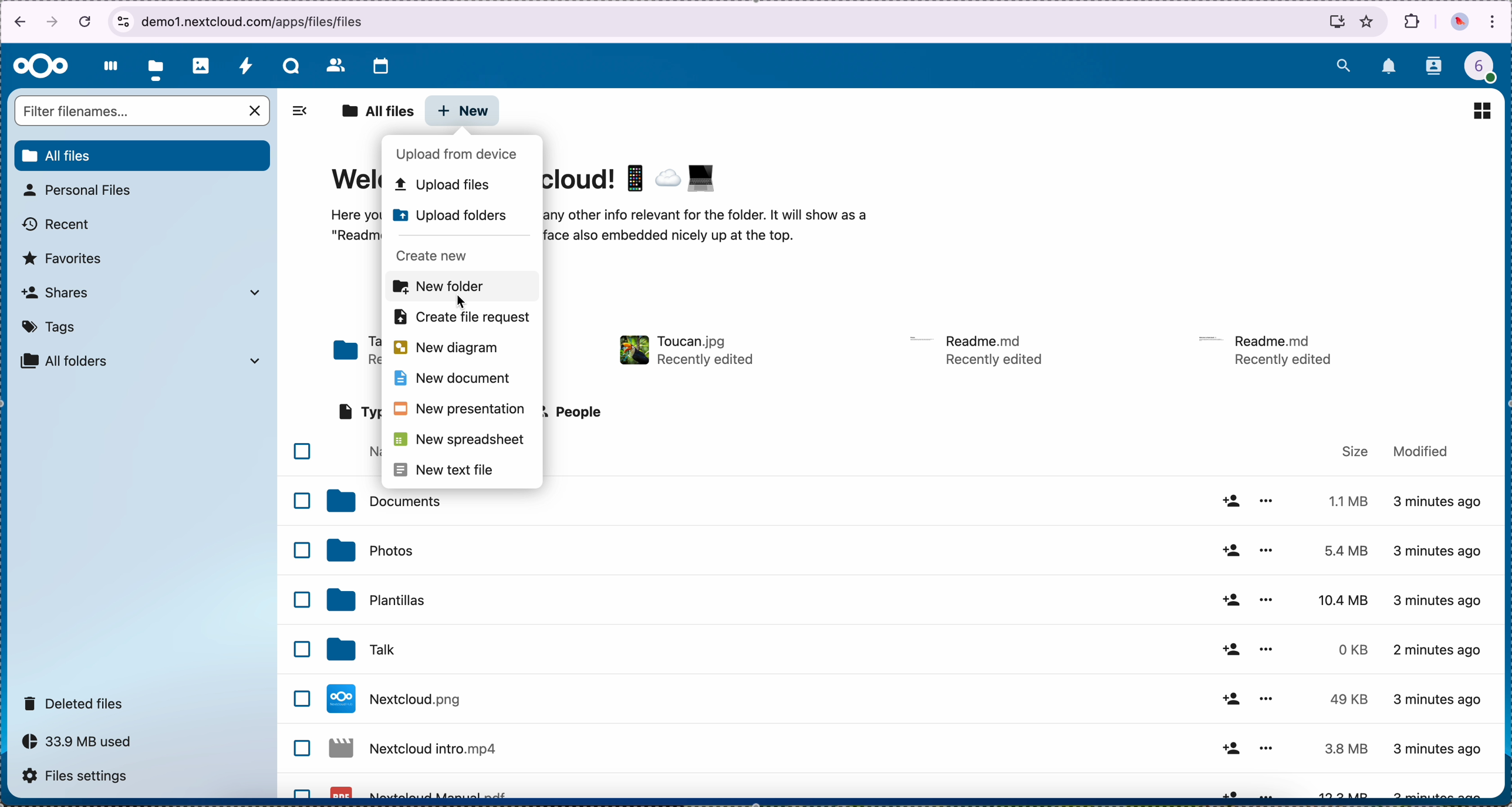 This screenshot has width=1512, height=807. Describe the element at coordinates (63, 259) in the screenshot. I see `favorites` at that location.